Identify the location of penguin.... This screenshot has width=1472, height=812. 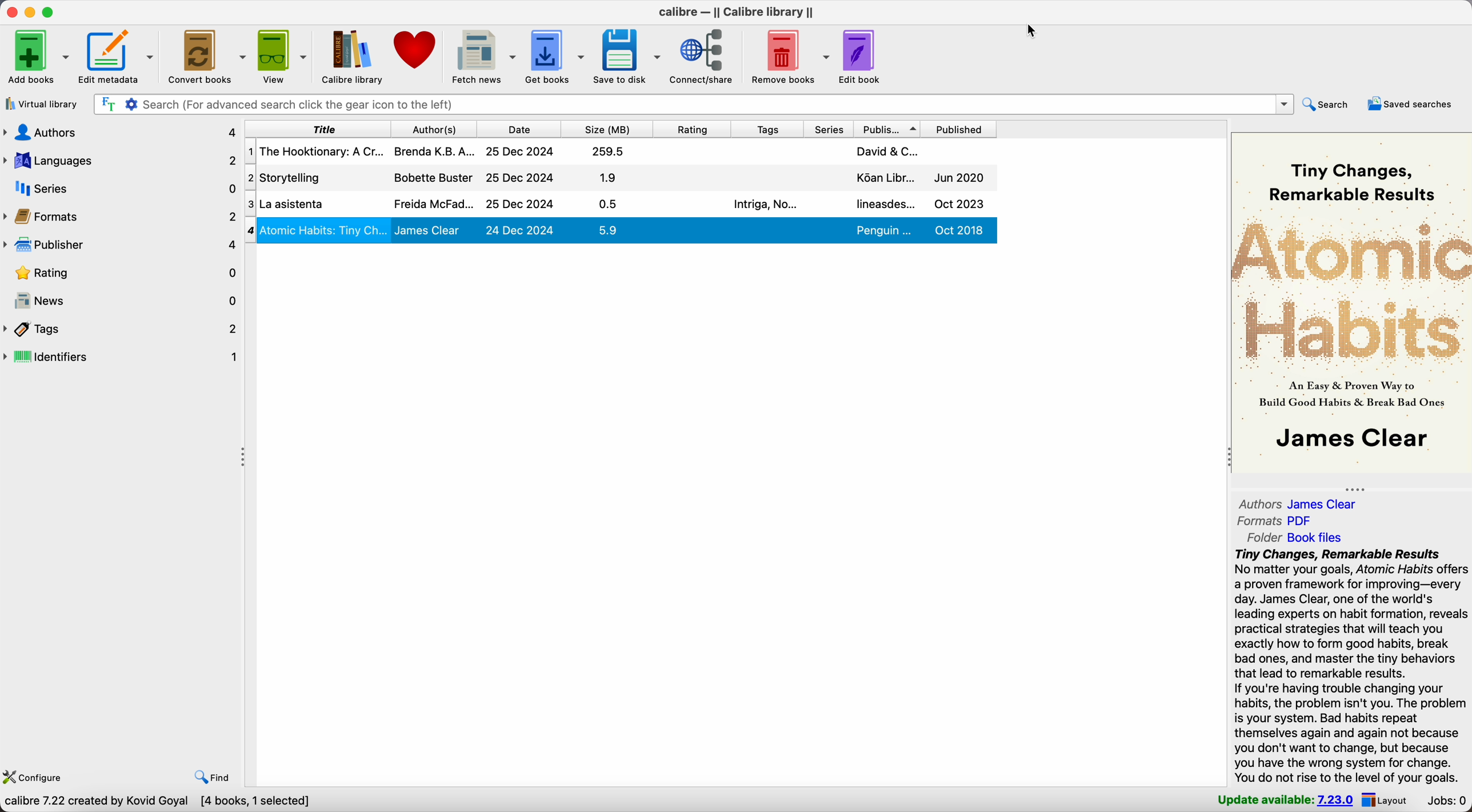
(885, 230).